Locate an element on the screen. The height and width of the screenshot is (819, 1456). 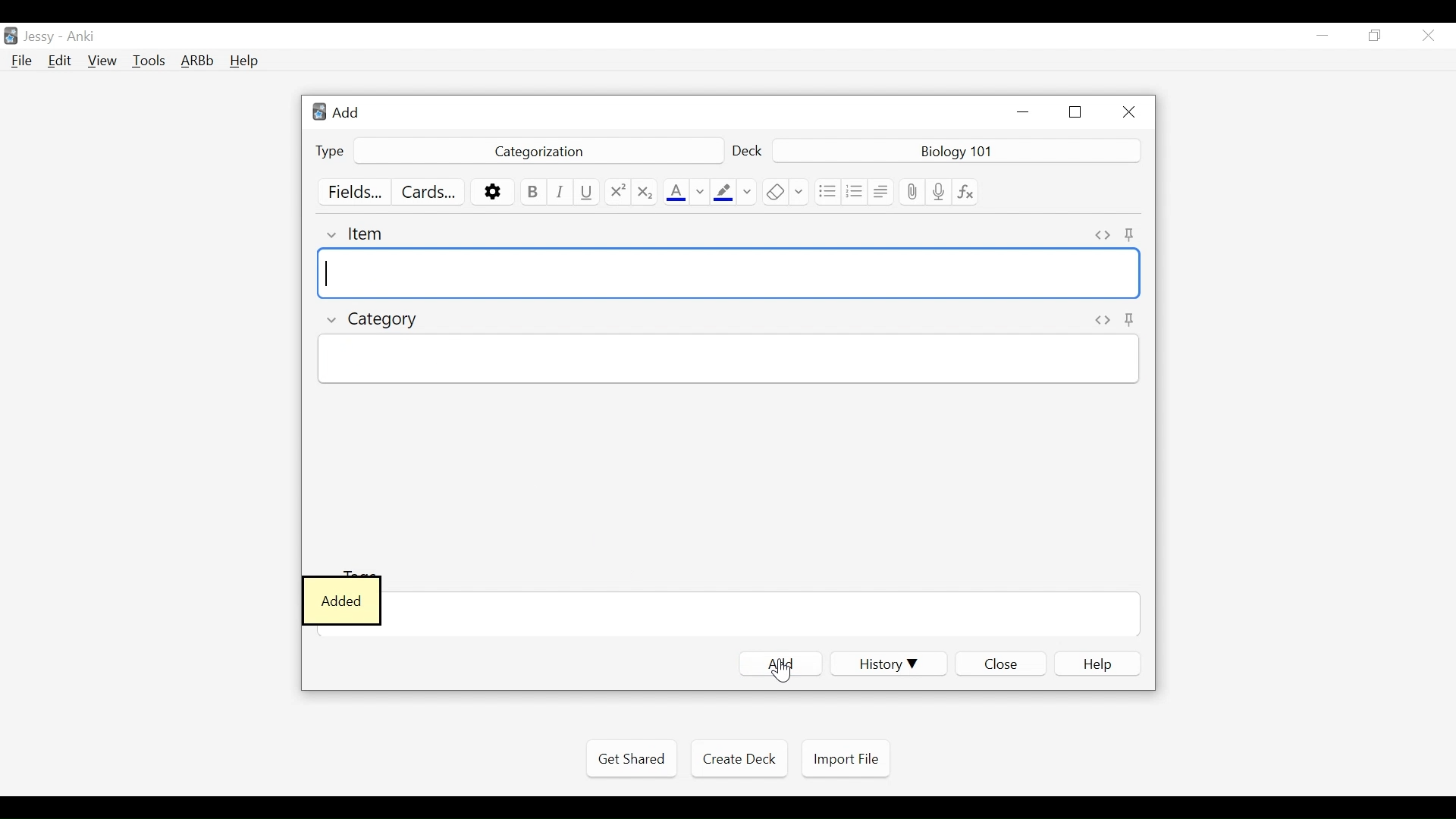
Item is located at coordinates (358, 234).